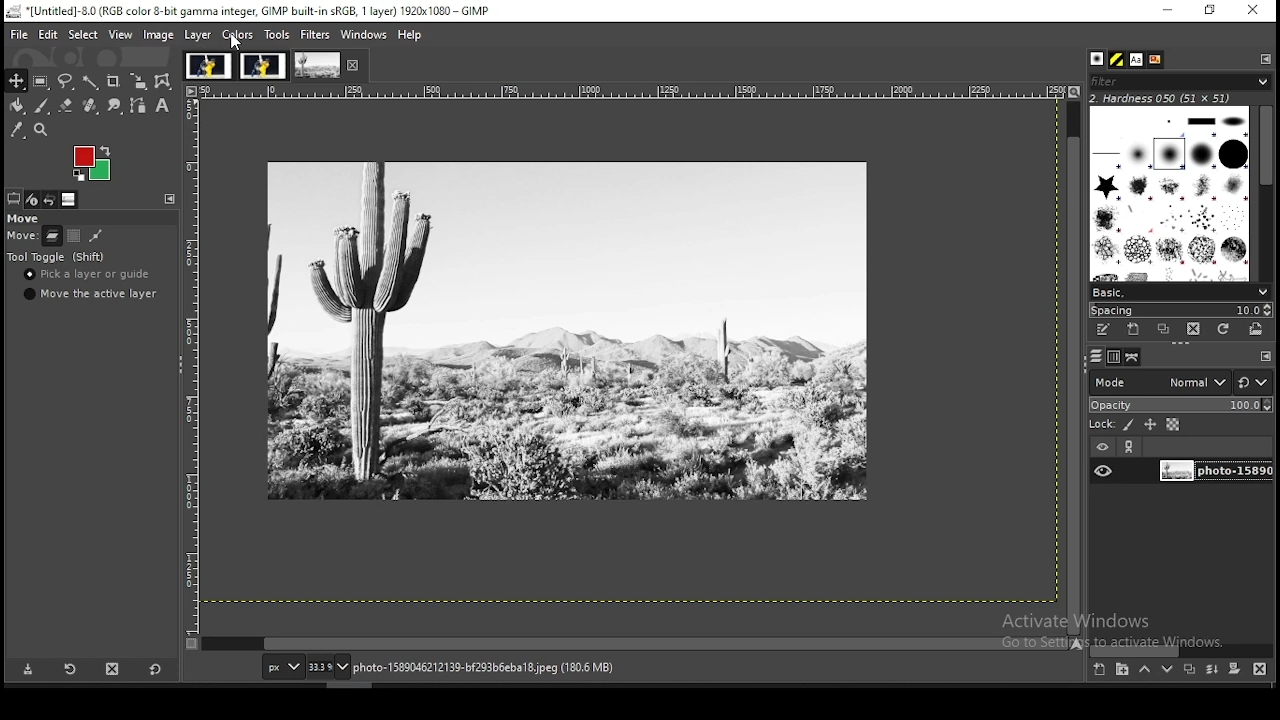 The height and width of the screenshot is (720, 1280). I want to click on undo history, so click(52, 200).